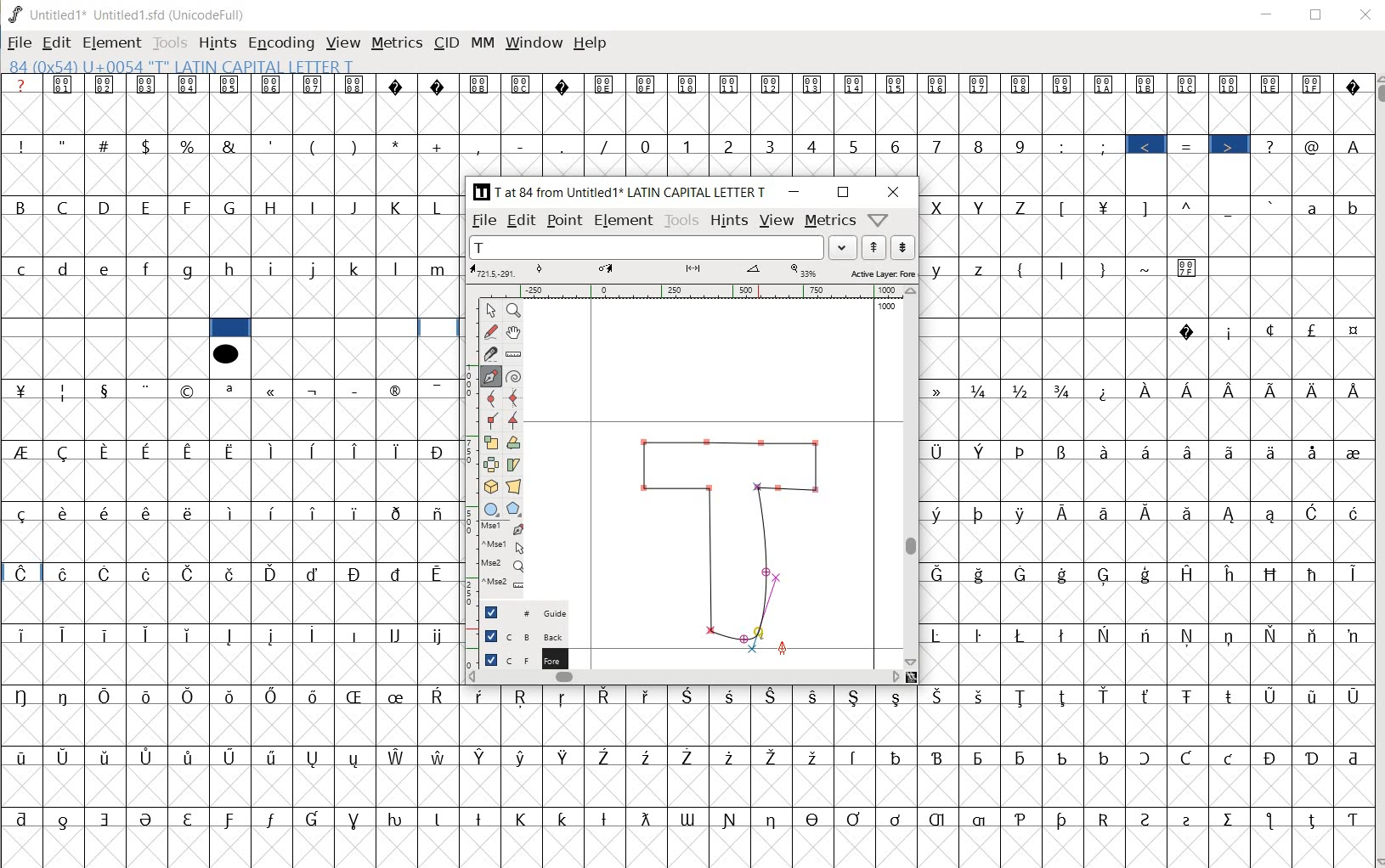  I want to click on Symbol, so click(231, 390).